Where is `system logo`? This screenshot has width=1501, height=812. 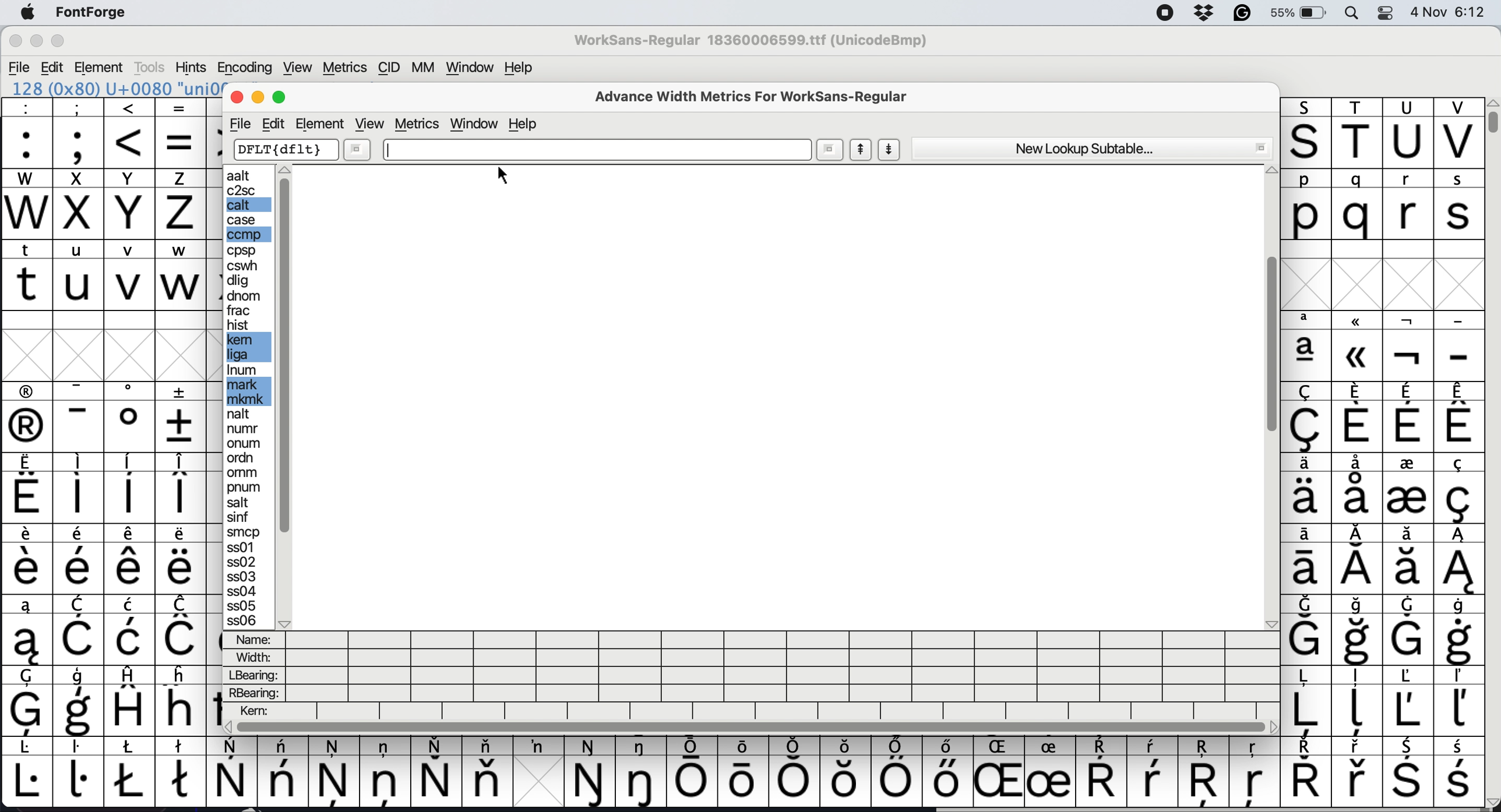 system logo is located at coordinates (28, 12).